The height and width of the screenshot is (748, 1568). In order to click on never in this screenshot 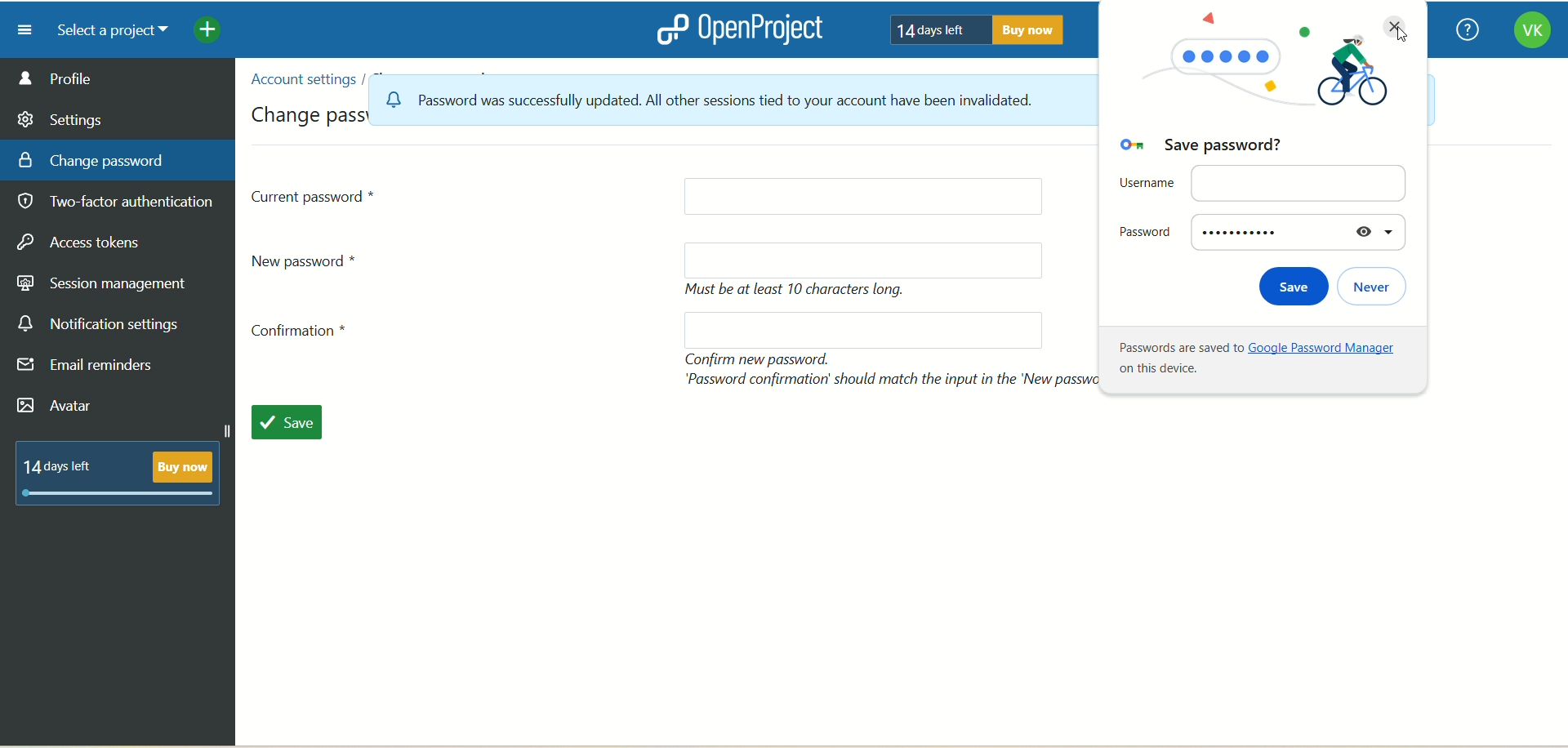, I will do `click(1375, 287)`.